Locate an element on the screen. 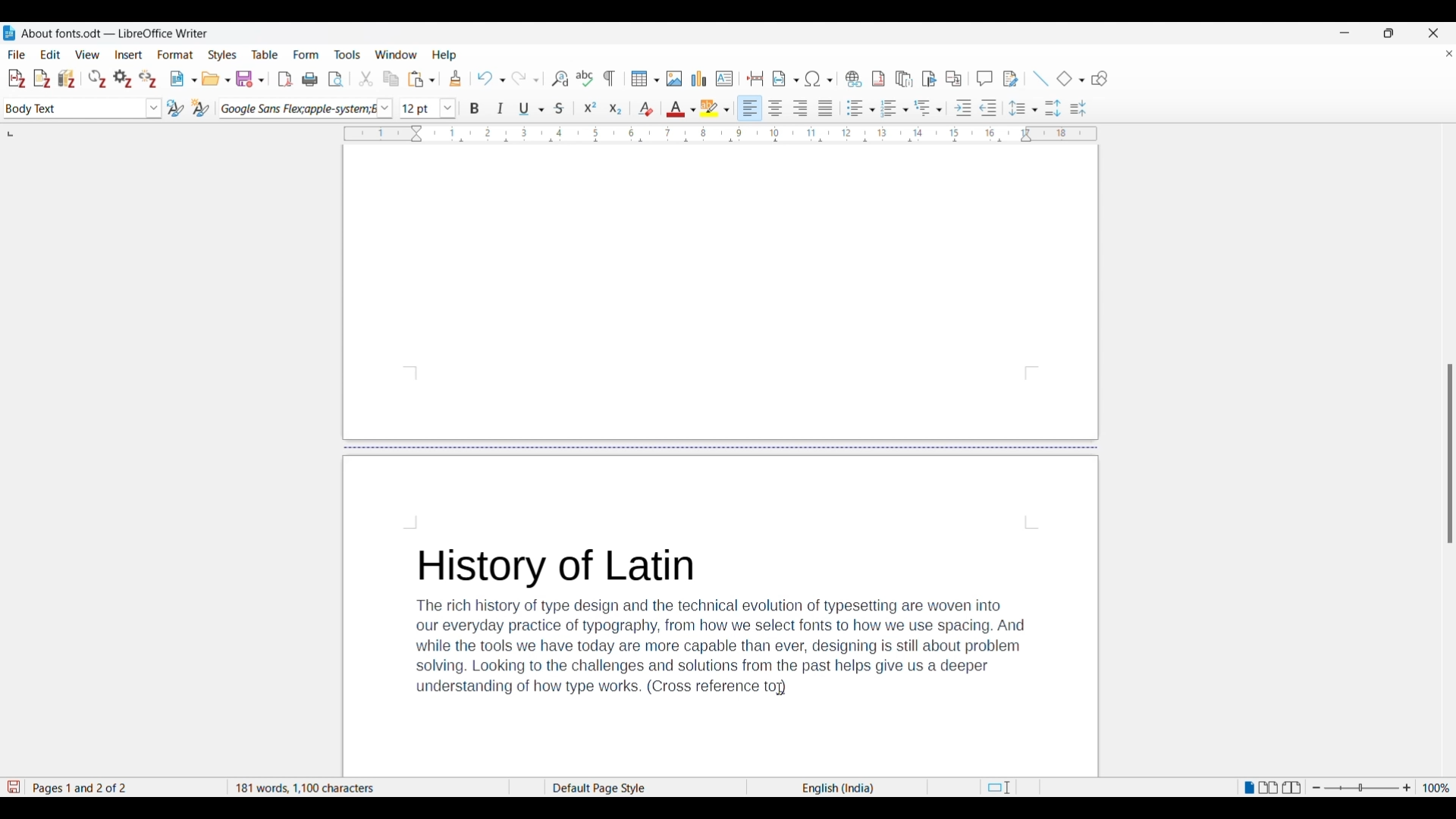 This screenshot has height=819, width=1456. Zoom out is located at coordinates (1316, 789).